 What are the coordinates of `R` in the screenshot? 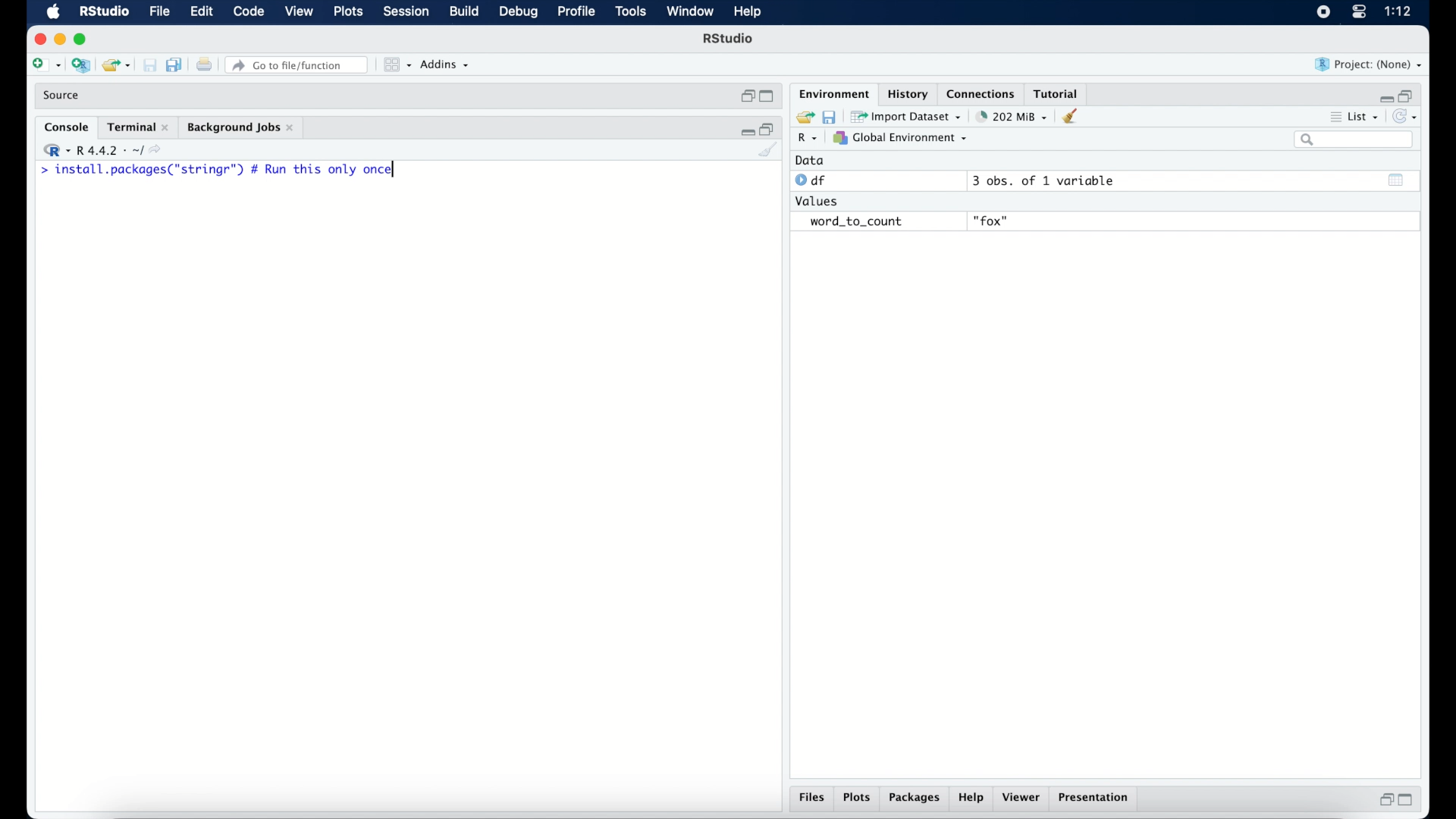 It's located at (808, 139).